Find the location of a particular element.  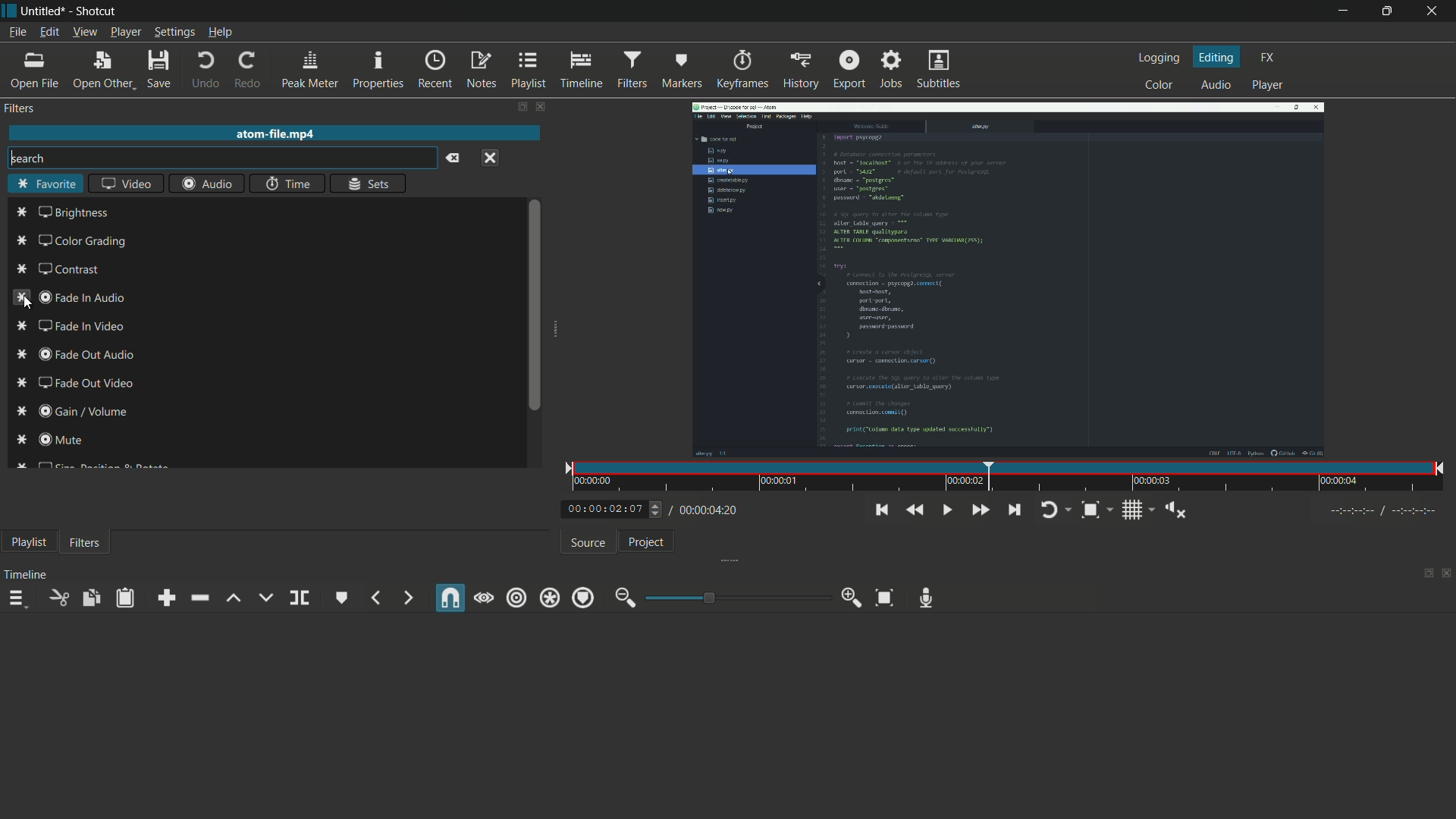

quickly play forward is located at coordinates (981, 510).